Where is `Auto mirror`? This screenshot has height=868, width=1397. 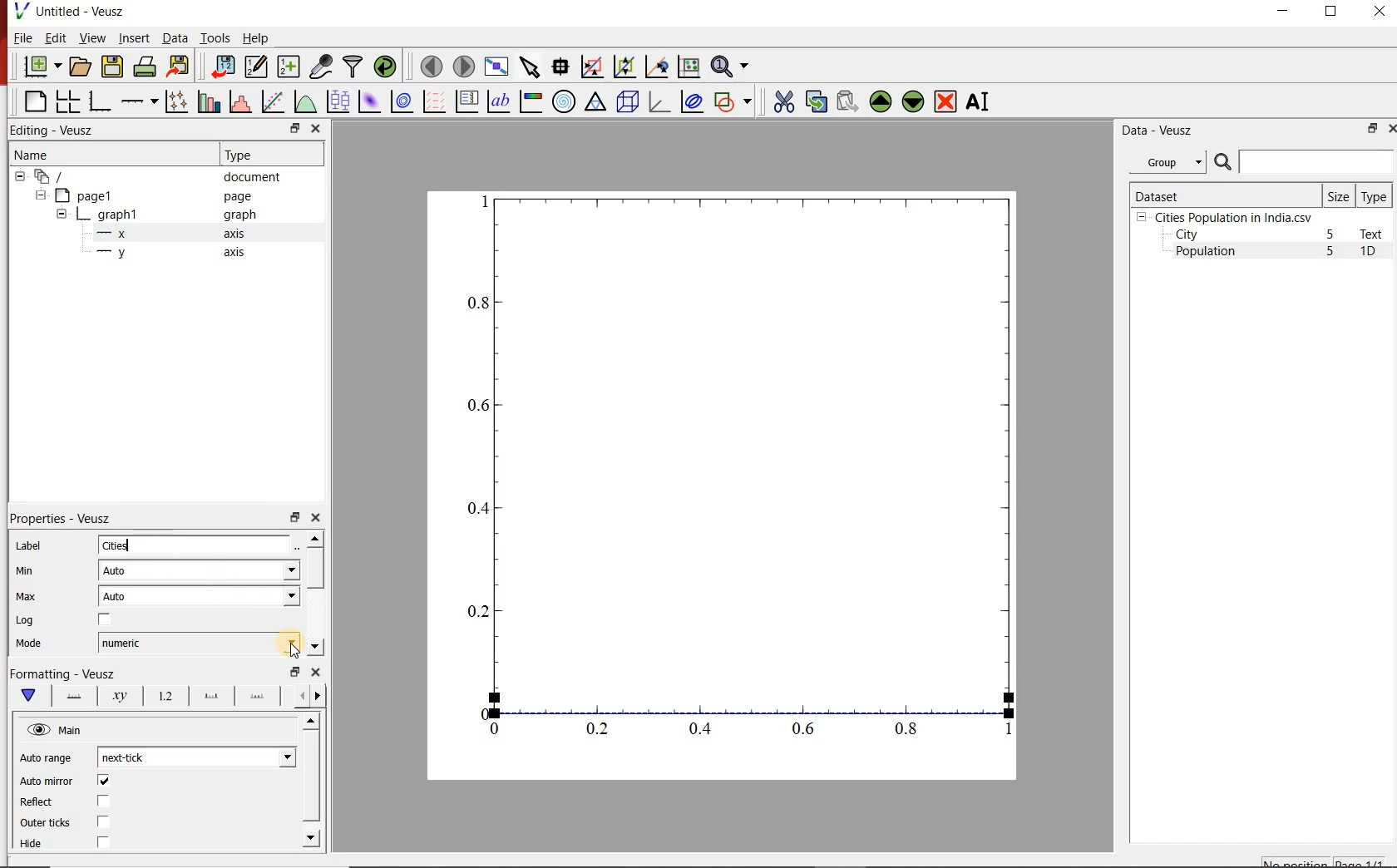
Auto mirror is located at coordinates (48, 780).